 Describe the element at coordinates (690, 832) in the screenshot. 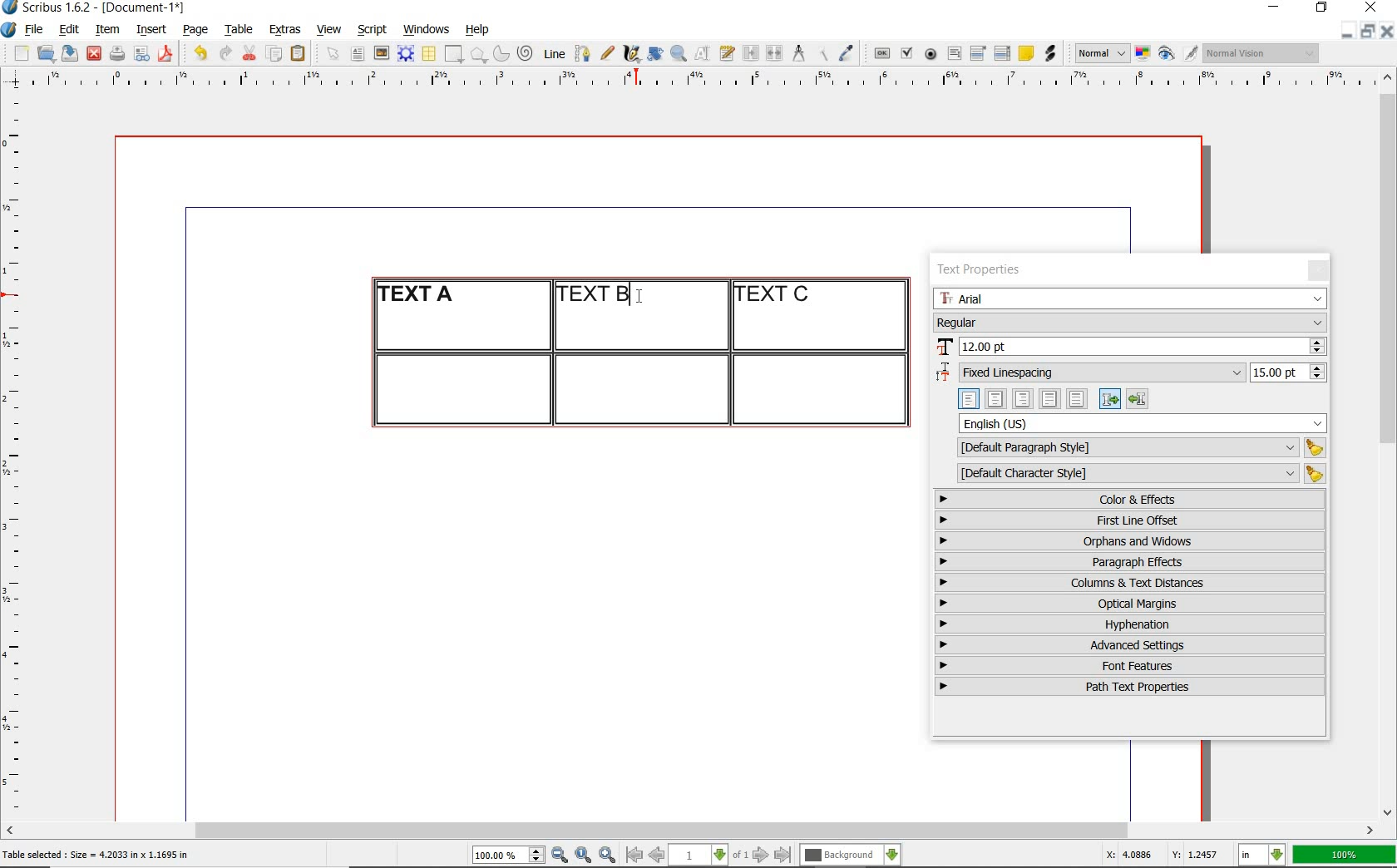

I see `scrollbar` at that location.